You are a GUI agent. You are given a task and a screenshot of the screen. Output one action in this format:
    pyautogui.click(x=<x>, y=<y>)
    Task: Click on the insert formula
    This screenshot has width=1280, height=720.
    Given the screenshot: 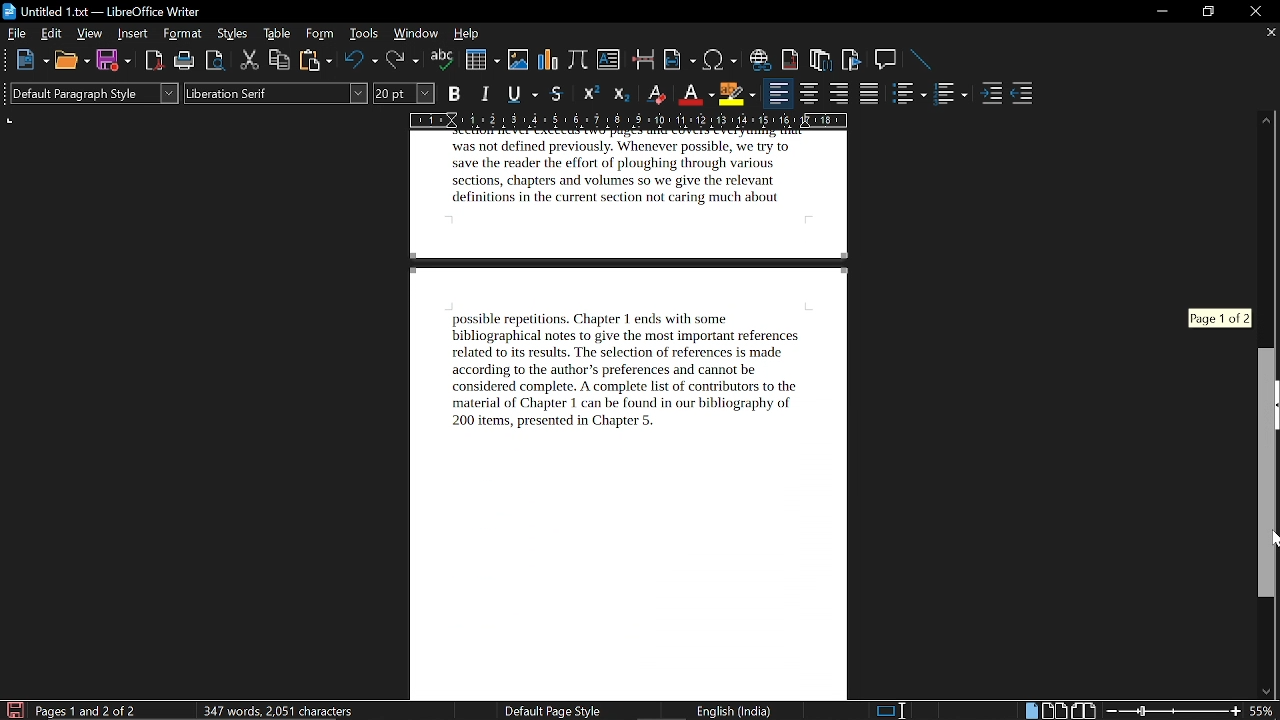 What is the action you would take?
    pyautogui.click(x=578, y=62)
    